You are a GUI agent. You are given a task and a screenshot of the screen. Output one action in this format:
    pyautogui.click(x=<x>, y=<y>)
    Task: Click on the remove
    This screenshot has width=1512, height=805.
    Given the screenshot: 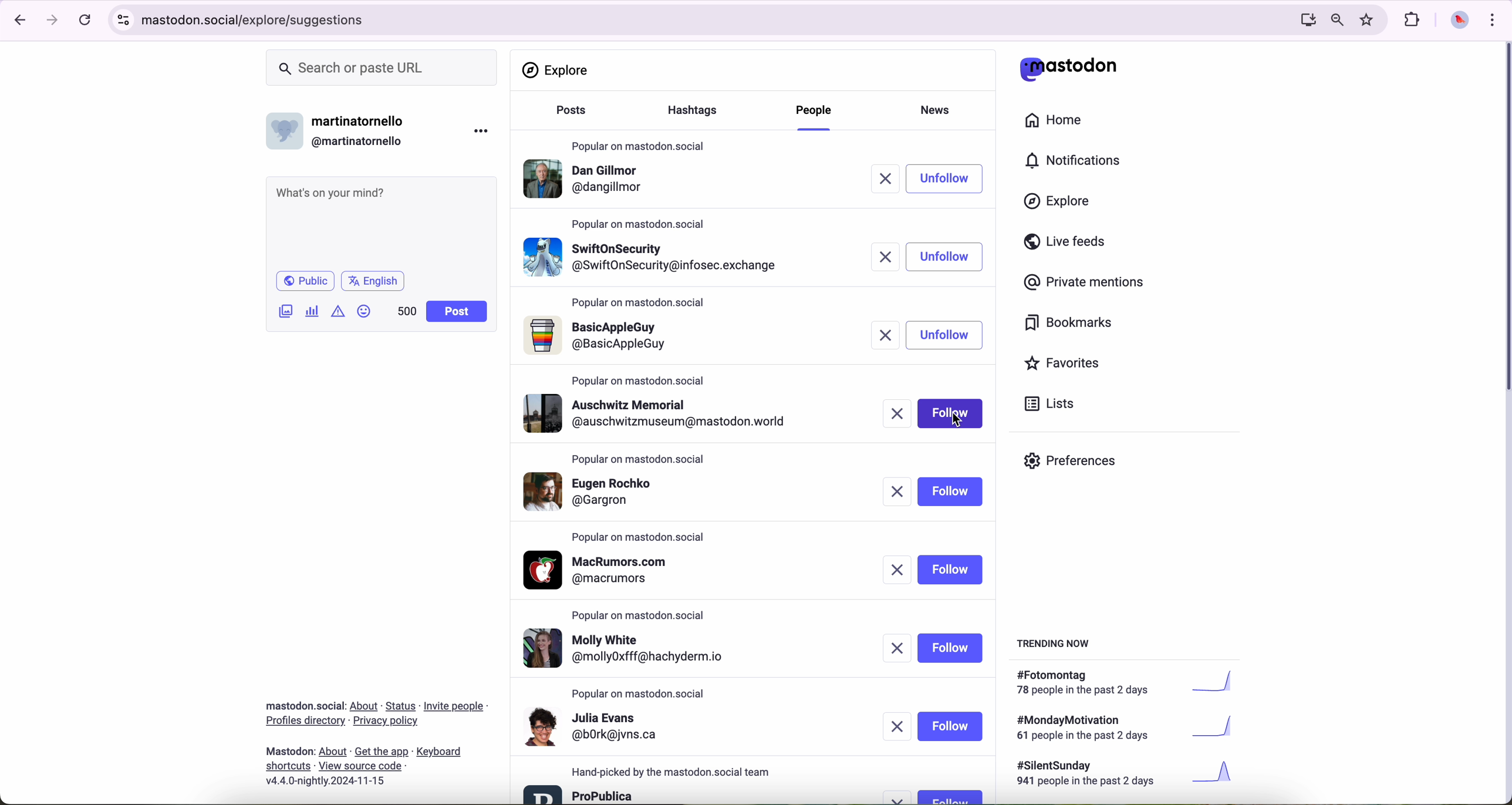 What is the action you would take?
    pyautogui.click(x=896, y=413)
    